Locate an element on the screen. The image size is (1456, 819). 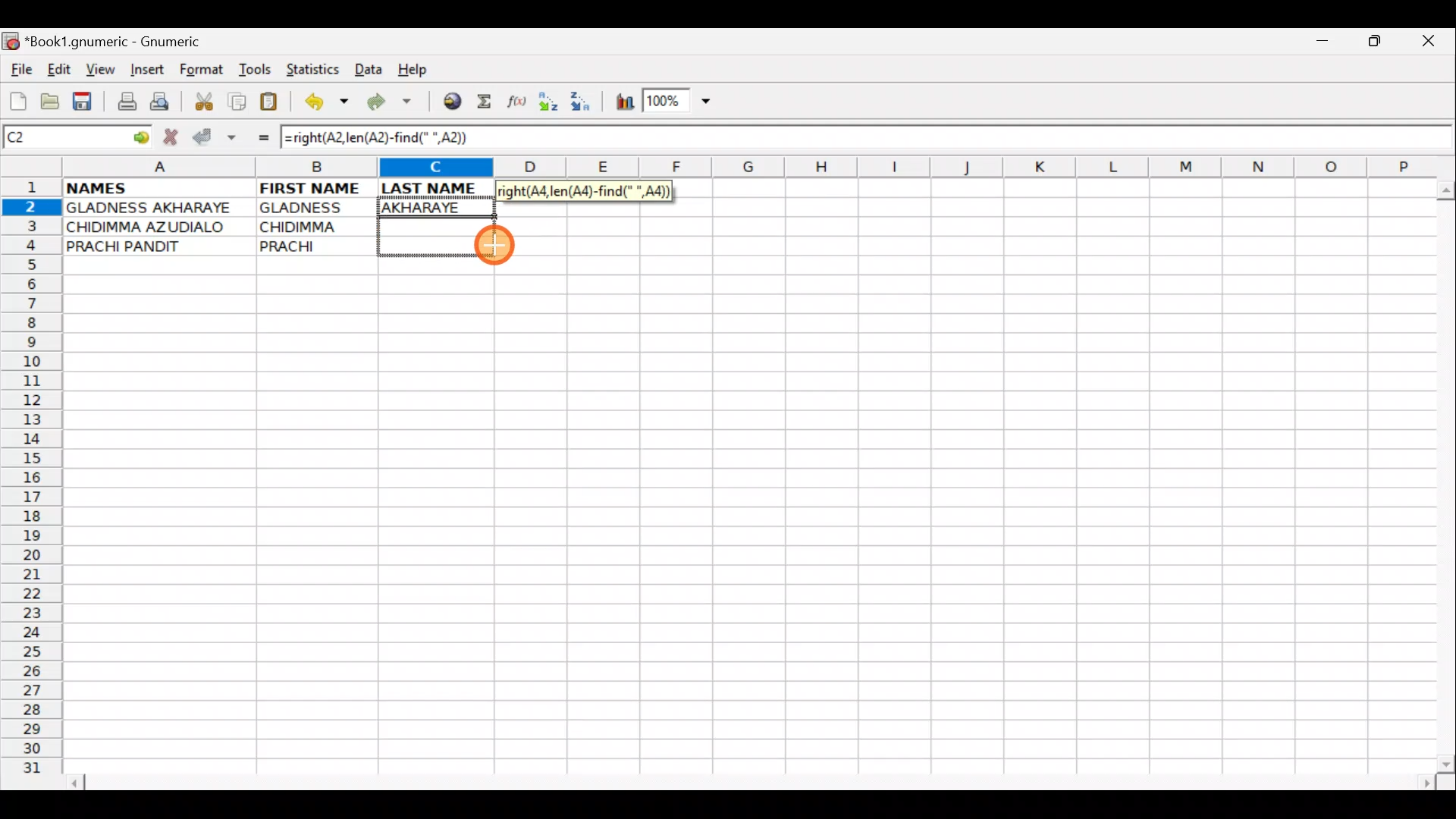
Save current workbook is located at coordinates (86, 102).